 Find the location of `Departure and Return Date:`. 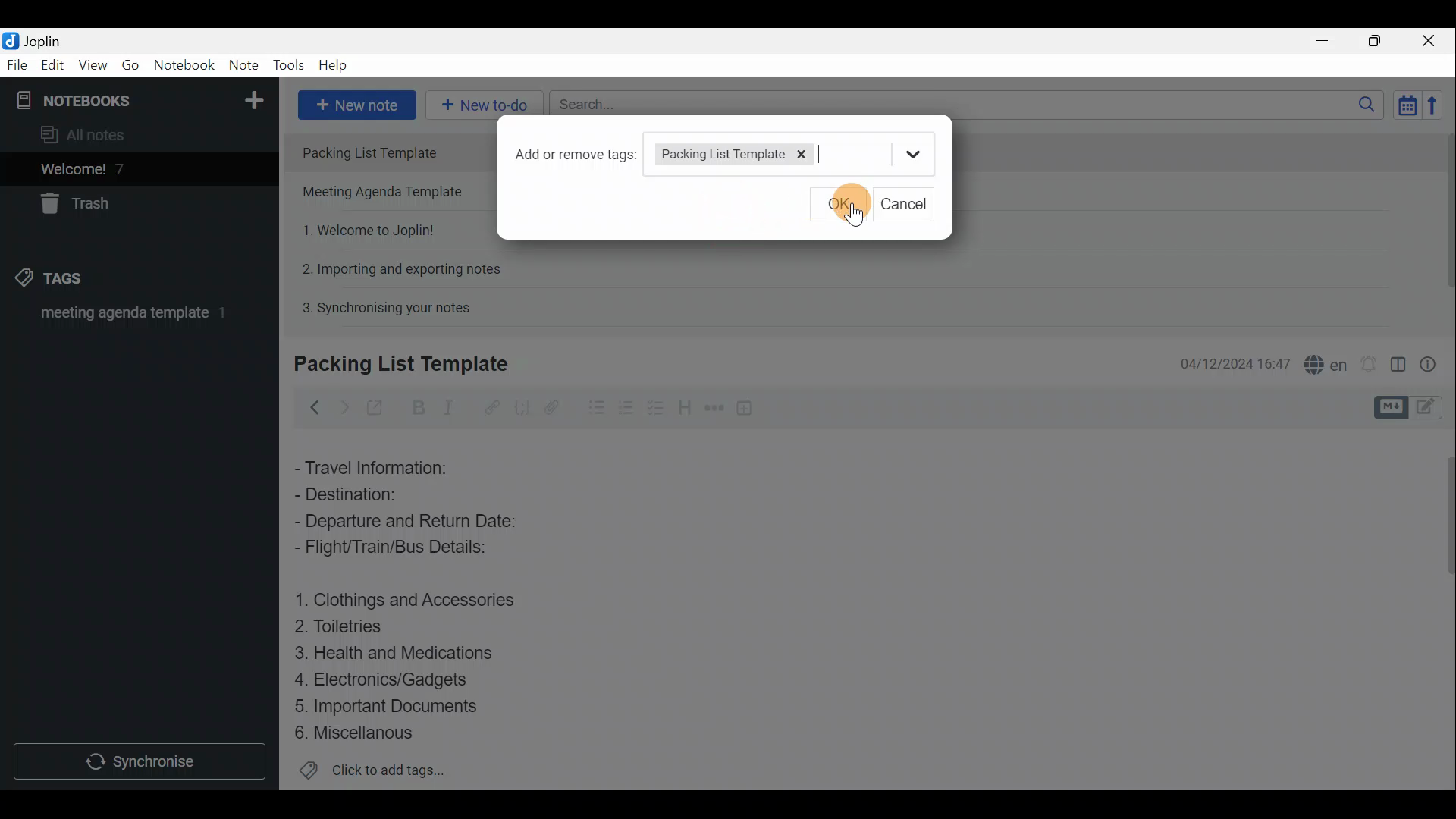

Departure and Return Date: is located at coordinates (407, 523).